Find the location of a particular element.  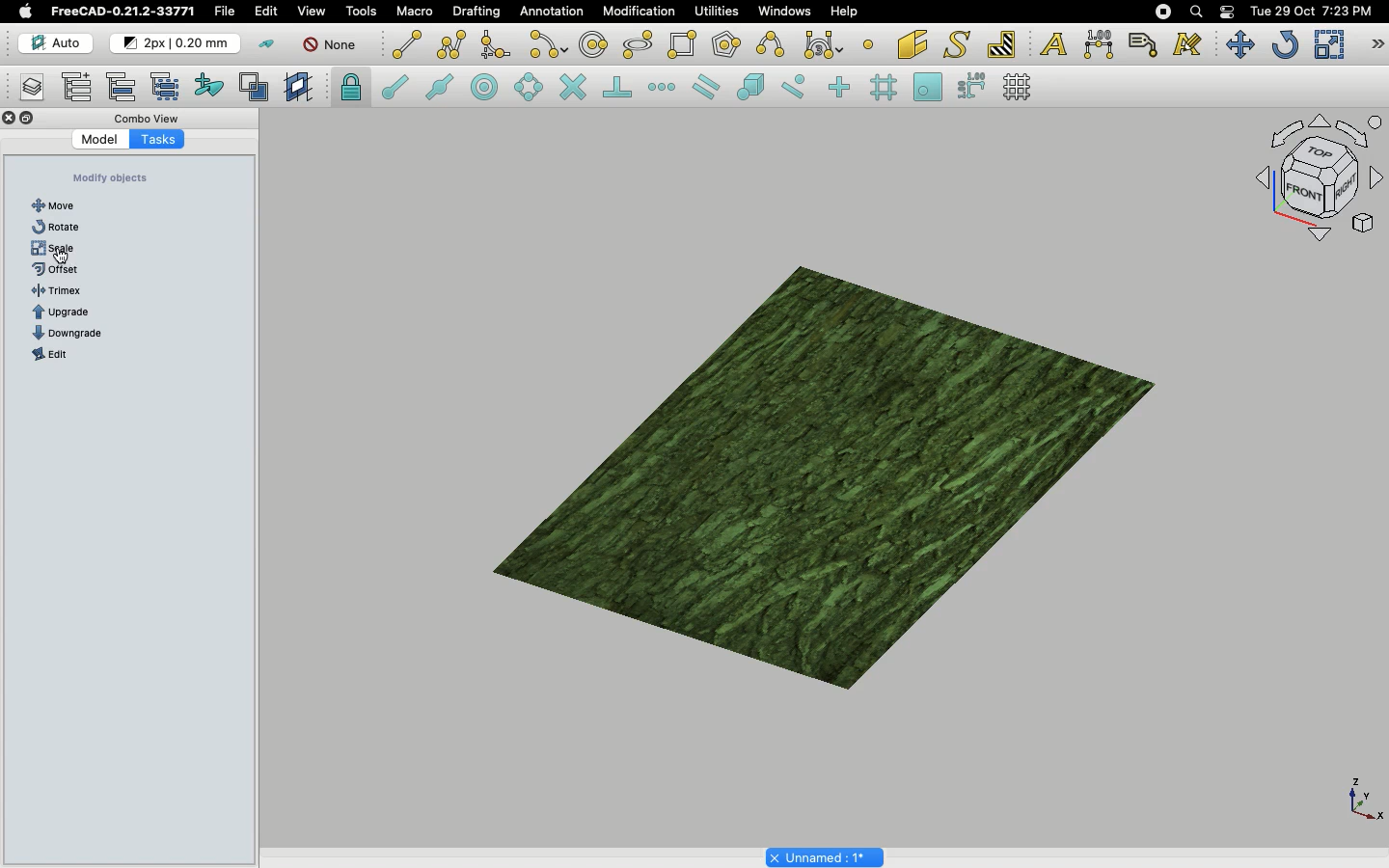

Bézier curve is located at coordinates (68, 396).